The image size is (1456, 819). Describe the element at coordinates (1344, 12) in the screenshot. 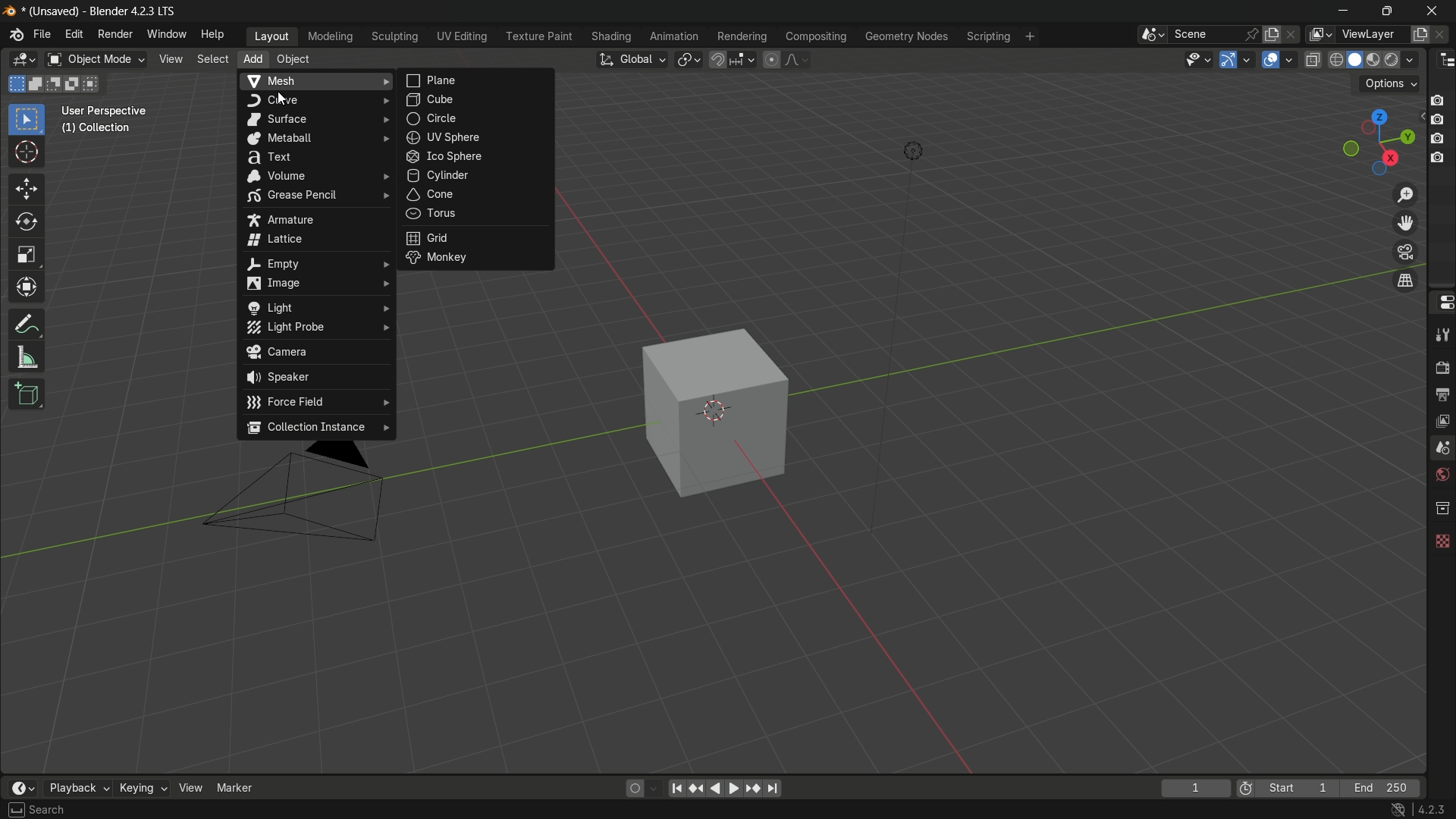

I see `minimize` at that location.